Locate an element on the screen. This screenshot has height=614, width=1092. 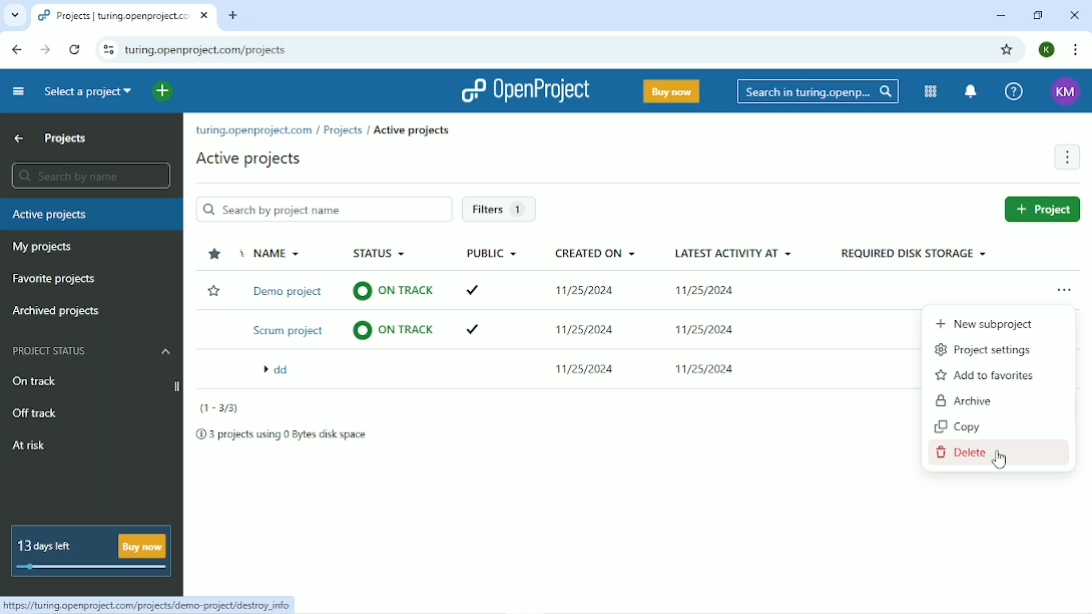
Archived projects is located at coordinates (57, 311).